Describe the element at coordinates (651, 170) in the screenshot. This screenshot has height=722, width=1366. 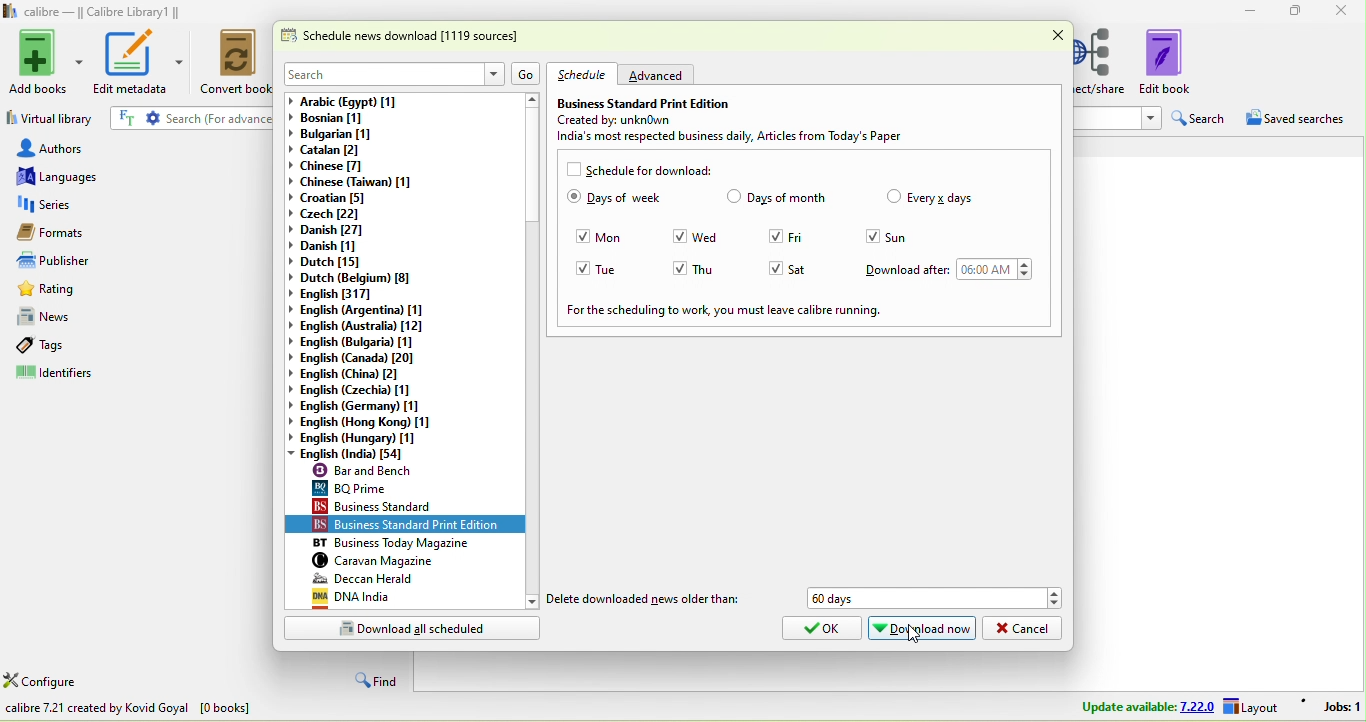
I see `schedule for download` at that location.